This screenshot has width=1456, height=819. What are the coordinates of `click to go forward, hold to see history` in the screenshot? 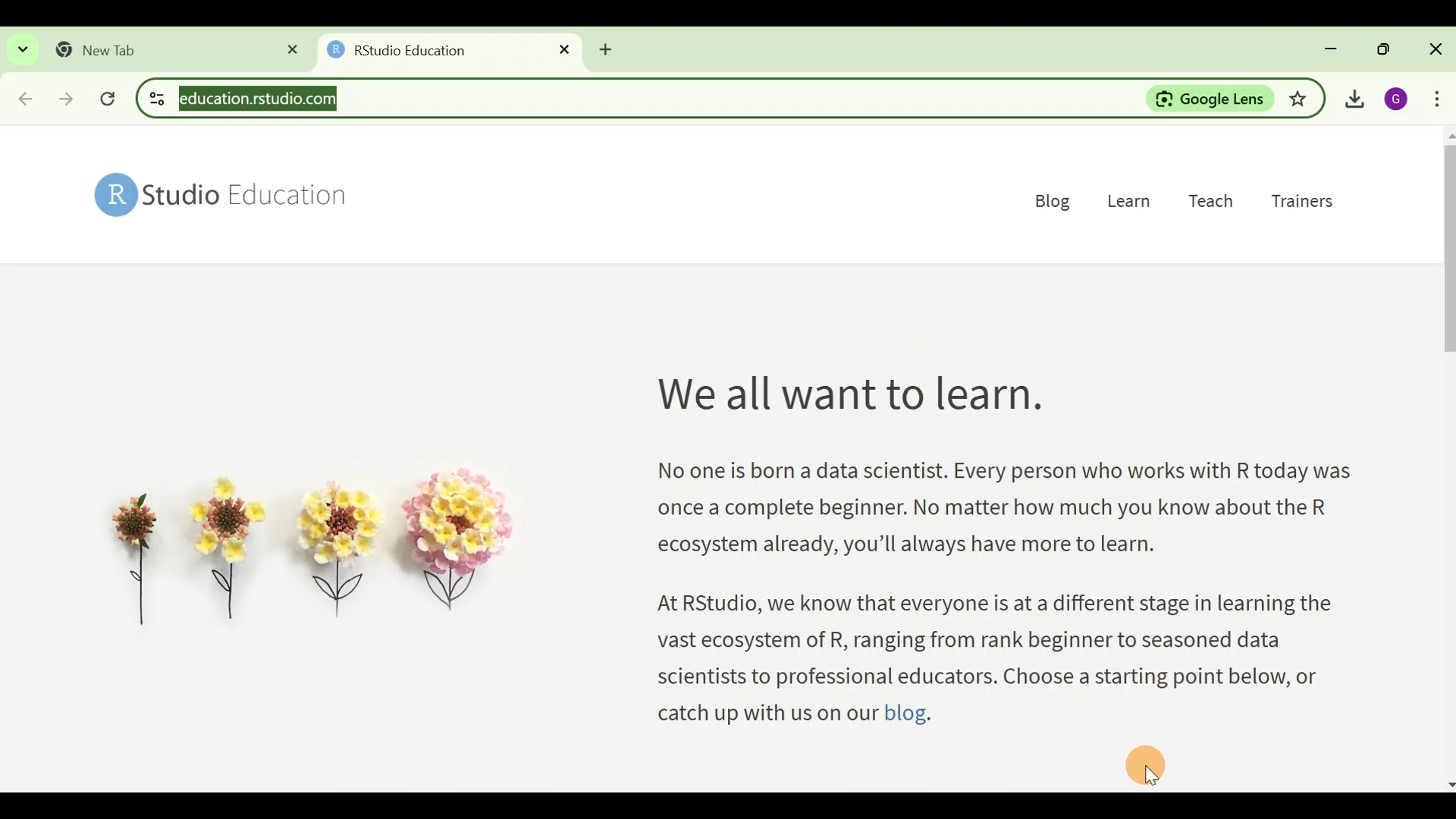 It's located at (69, 96).